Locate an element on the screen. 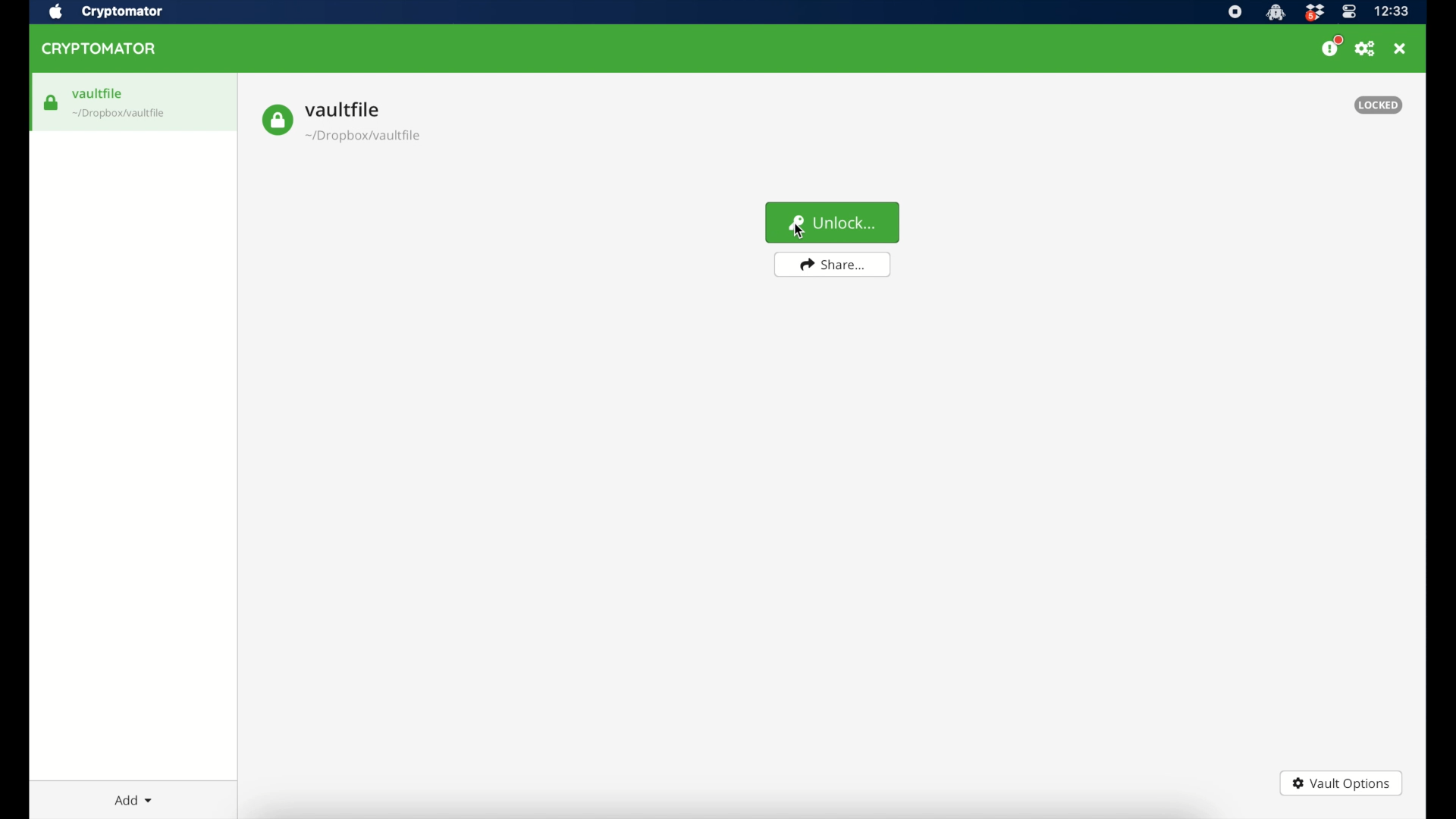 The width and height of the screenshot is (1456, 819). screen recorder icon is located at coordinates (1236, 11).